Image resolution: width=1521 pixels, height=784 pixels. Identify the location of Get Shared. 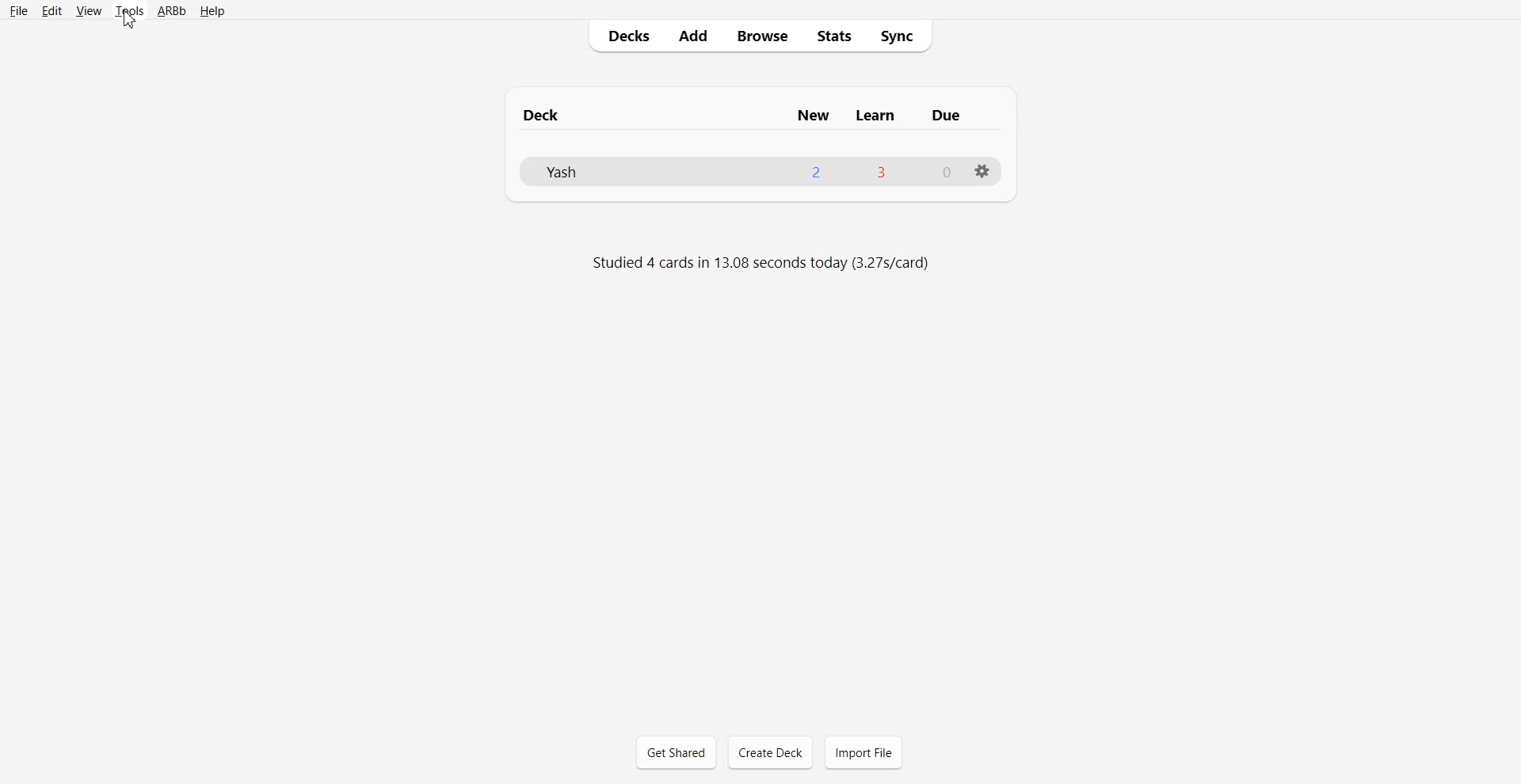
(677, 751).